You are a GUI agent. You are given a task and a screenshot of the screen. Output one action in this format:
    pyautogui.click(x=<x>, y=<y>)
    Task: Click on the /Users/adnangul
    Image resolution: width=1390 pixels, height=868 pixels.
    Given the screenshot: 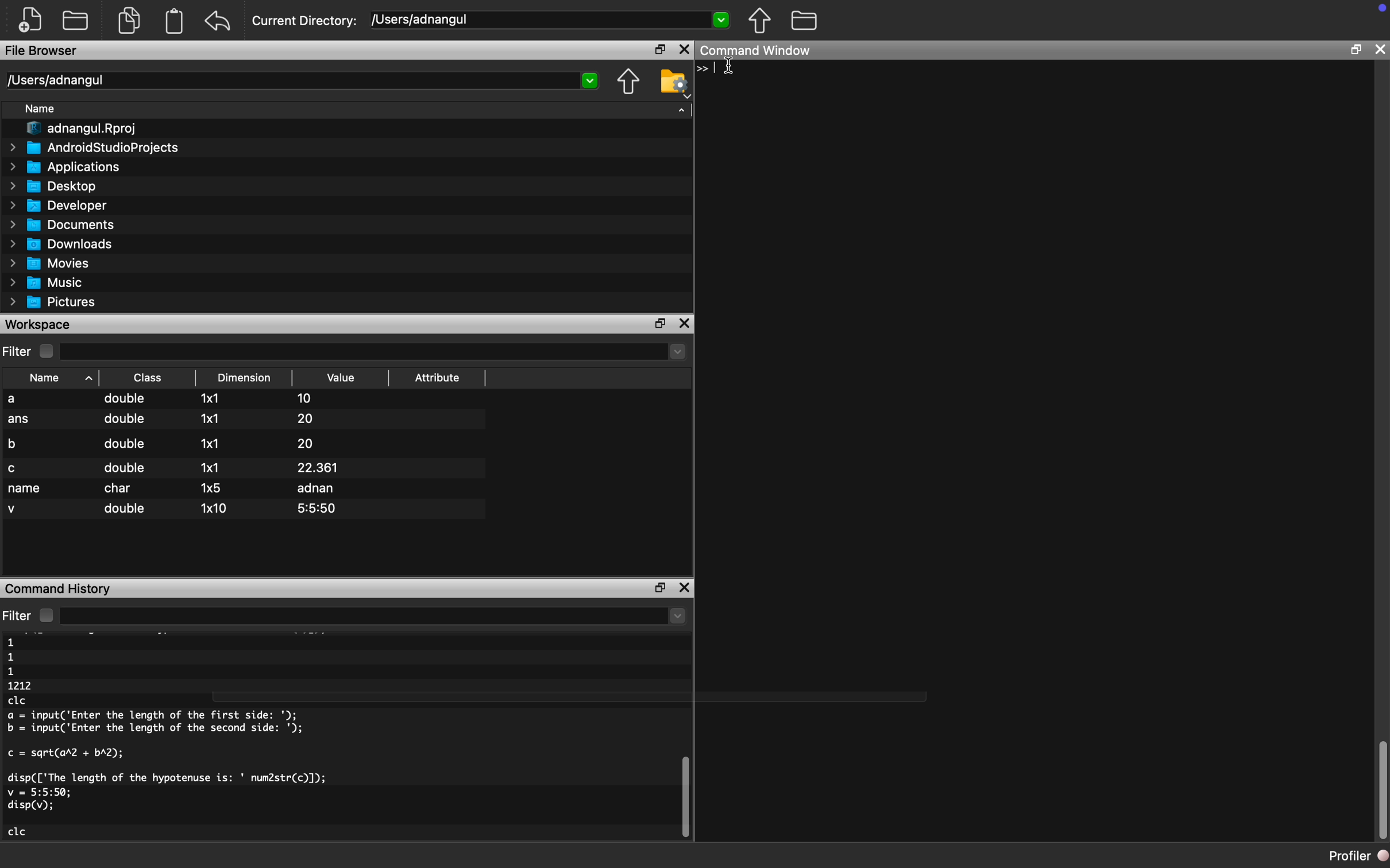 What is the action you would take?
    pyautogui.click(x=58, y=80)
    